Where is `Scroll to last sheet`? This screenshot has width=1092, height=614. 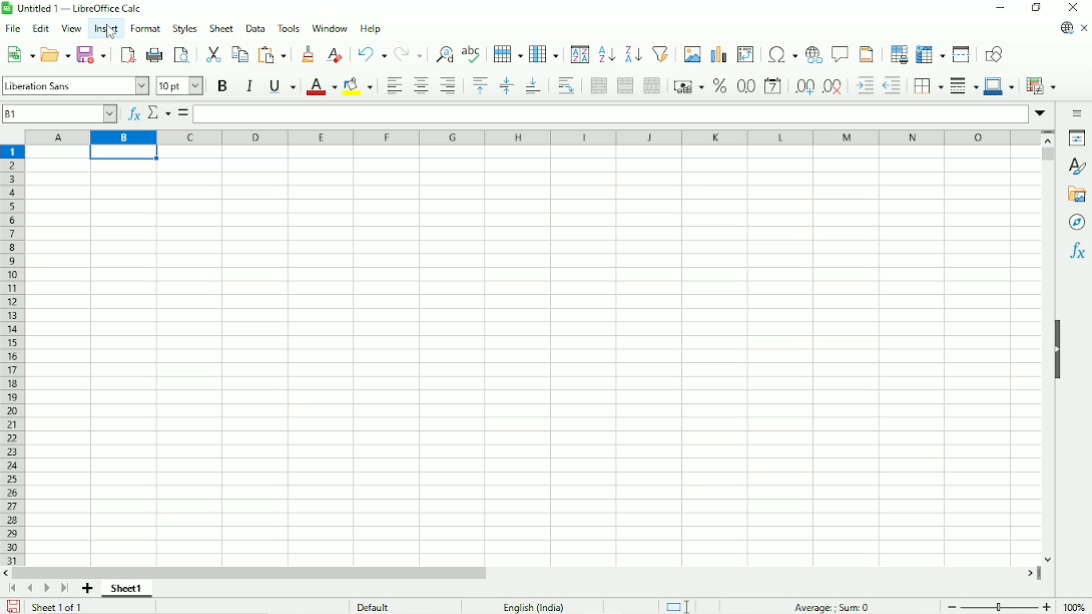
Scroll to last sheet is located at coordinates (65, 589).